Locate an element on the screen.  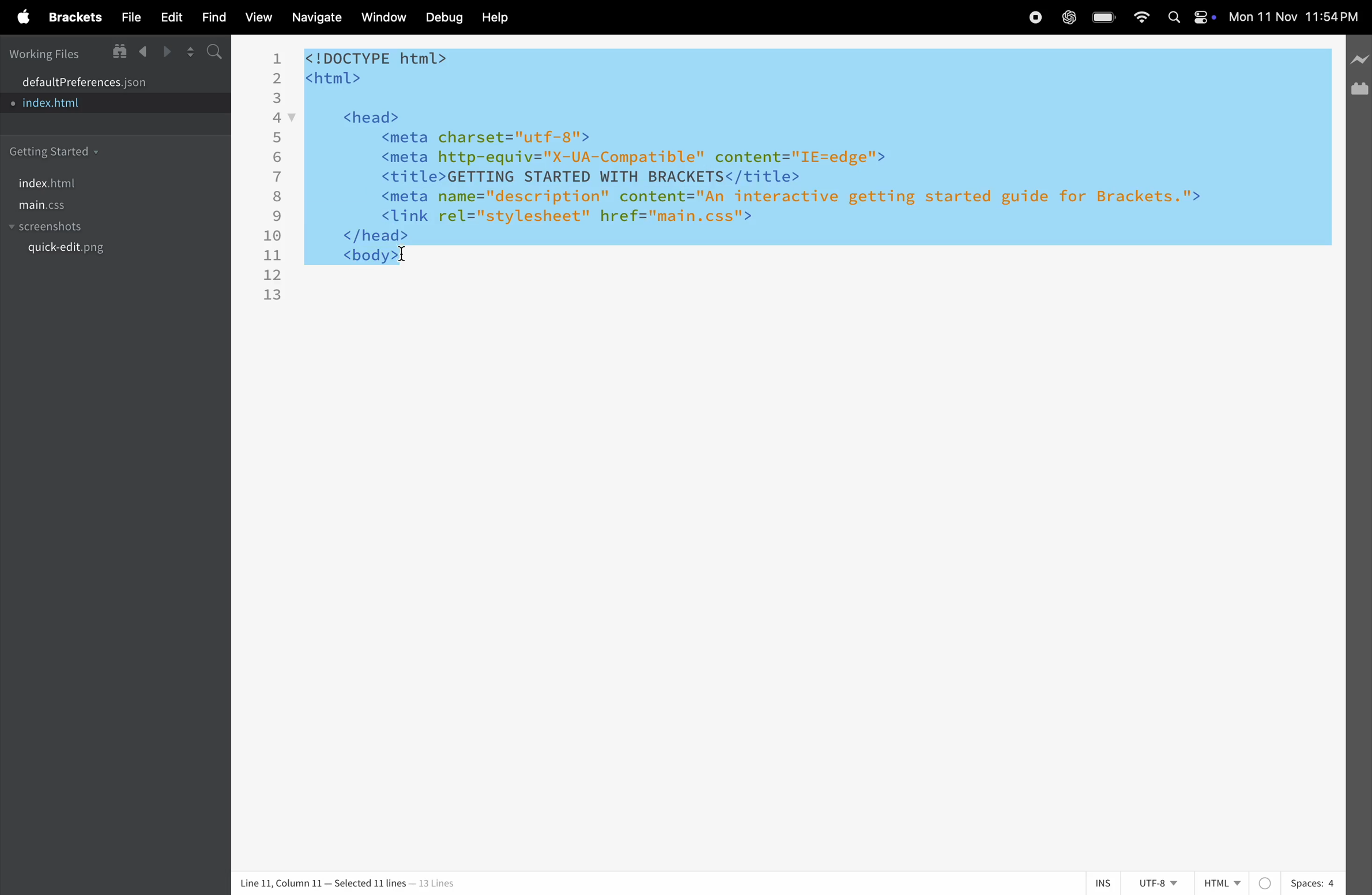
navigate is located at coordinates (313, 18).